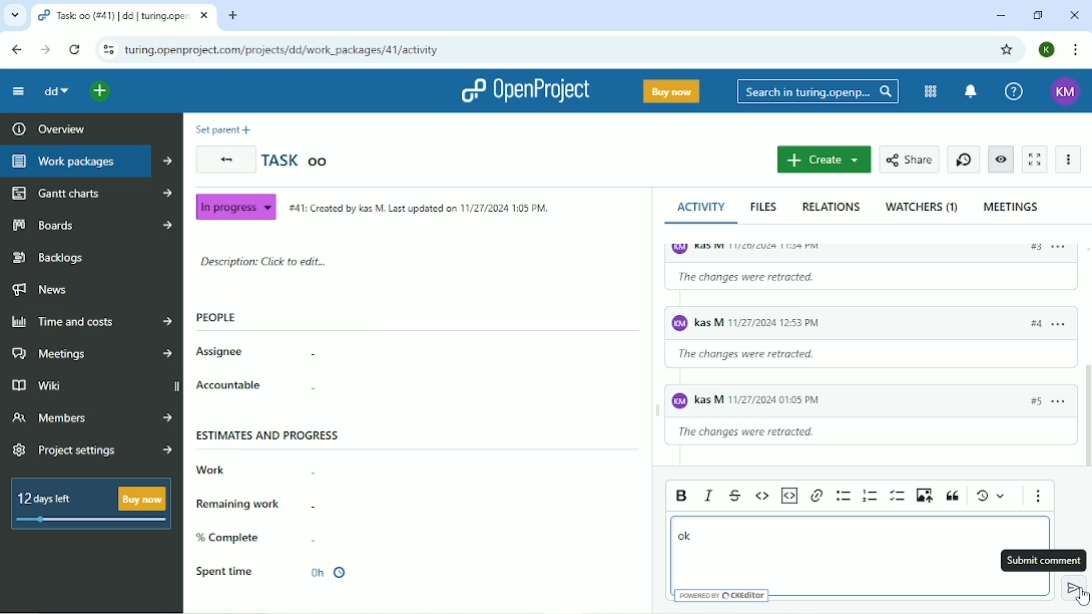 The image size is (1092, 614). What do you see at coordinates (1056, 404) in the screenshot?
I see `options` at bounding box center [1056, 404].